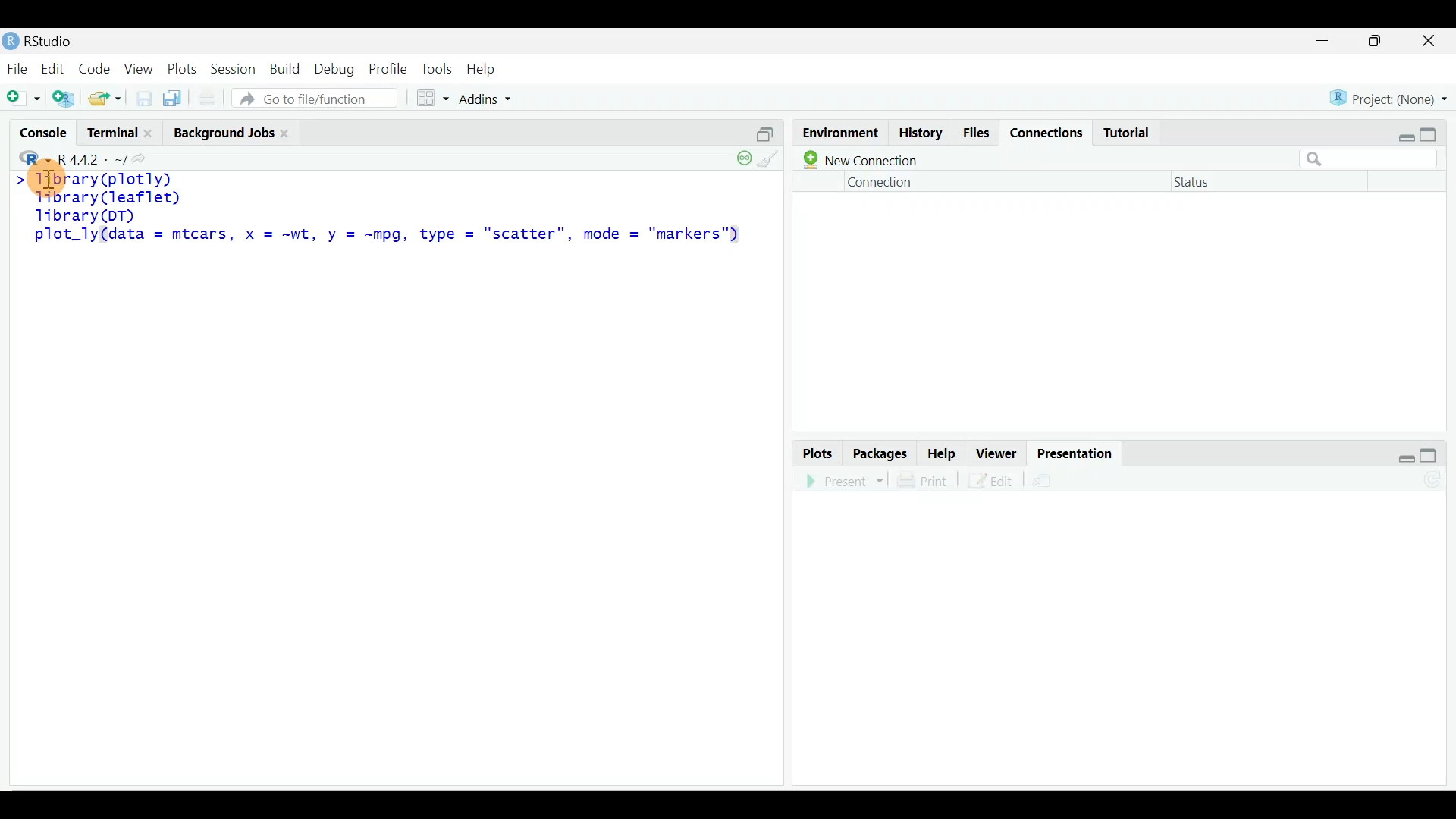  What do you see at coordinates (106, 100) in the screenshot?
I see `Open an existing file` at bounding box center [106, 100].